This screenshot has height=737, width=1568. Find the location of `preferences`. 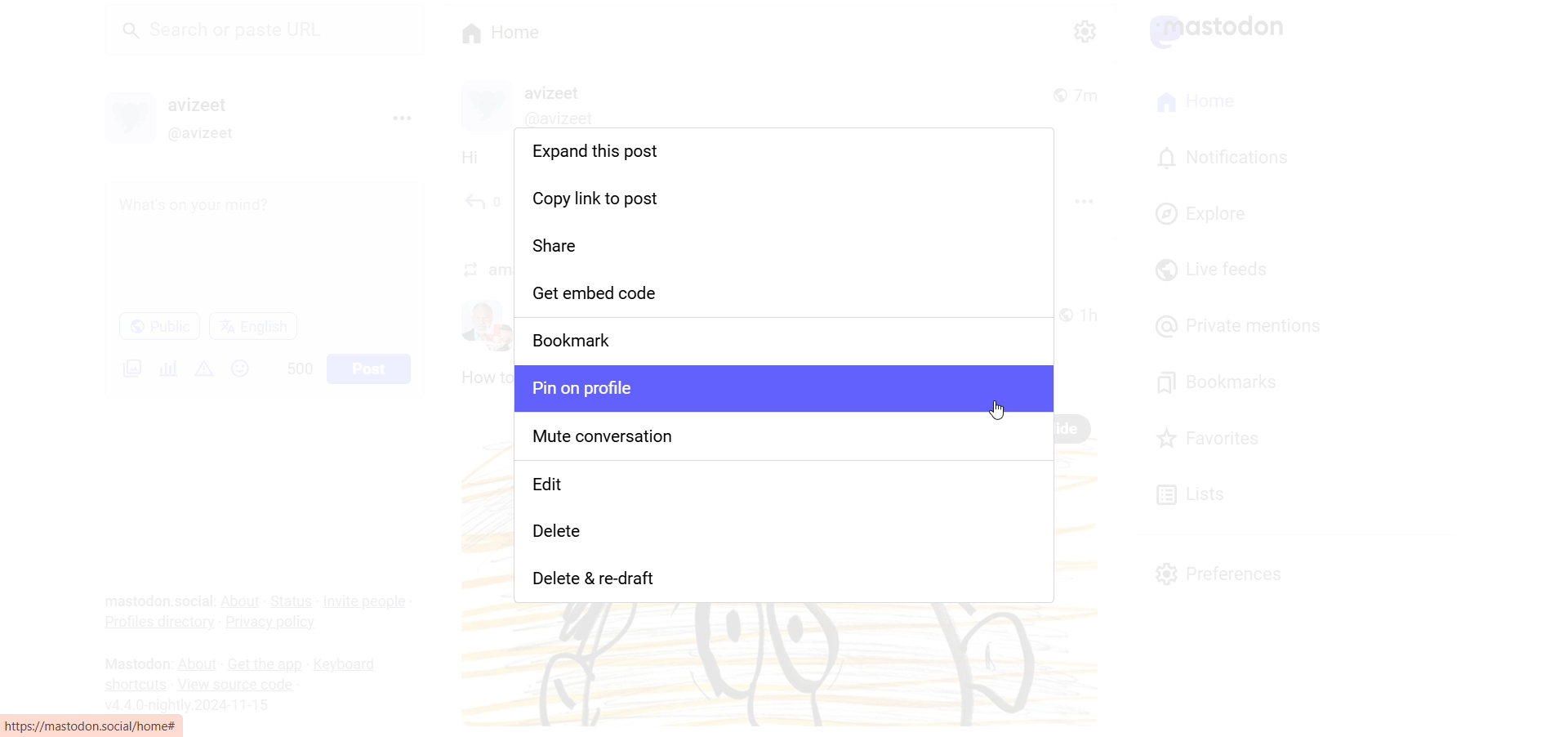

preferences is located at coordinates (1222, 572).